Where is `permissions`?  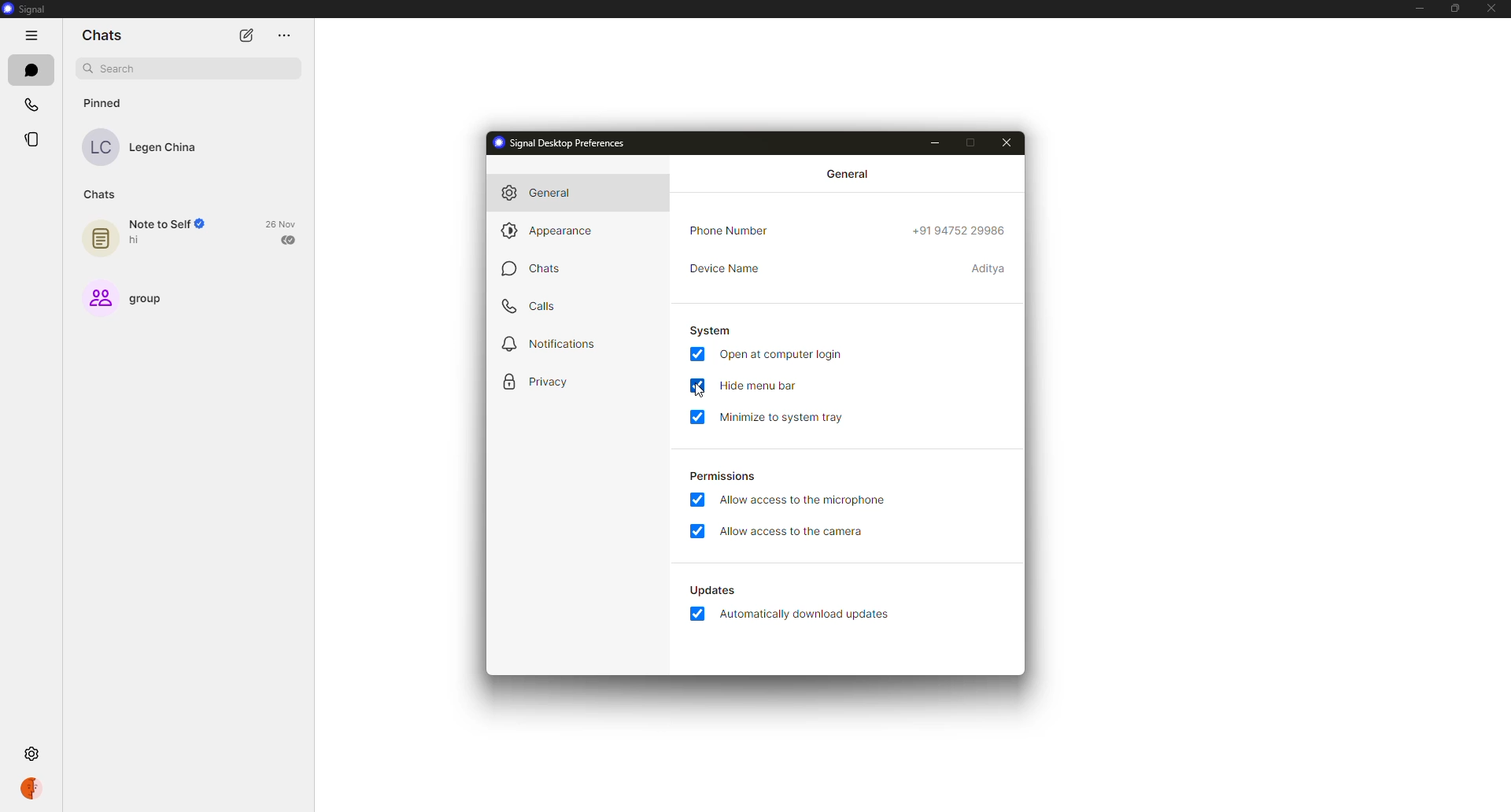 permissions is located at coordinates (722, 478).